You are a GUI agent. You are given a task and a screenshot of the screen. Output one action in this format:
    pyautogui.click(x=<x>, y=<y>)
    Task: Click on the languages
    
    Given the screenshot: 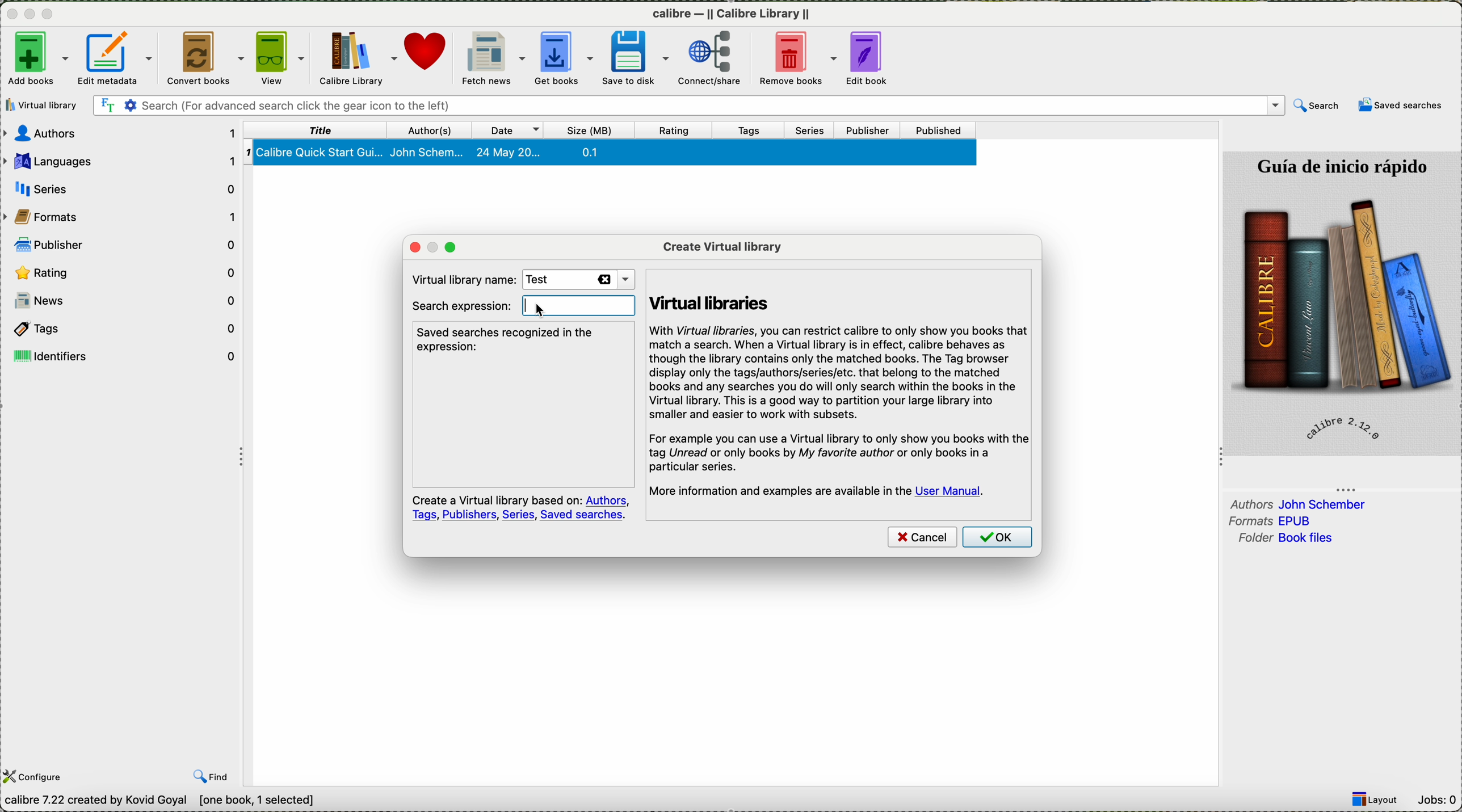 What is the action you would take?
    pyautogui.click(x=120, y=161)
    